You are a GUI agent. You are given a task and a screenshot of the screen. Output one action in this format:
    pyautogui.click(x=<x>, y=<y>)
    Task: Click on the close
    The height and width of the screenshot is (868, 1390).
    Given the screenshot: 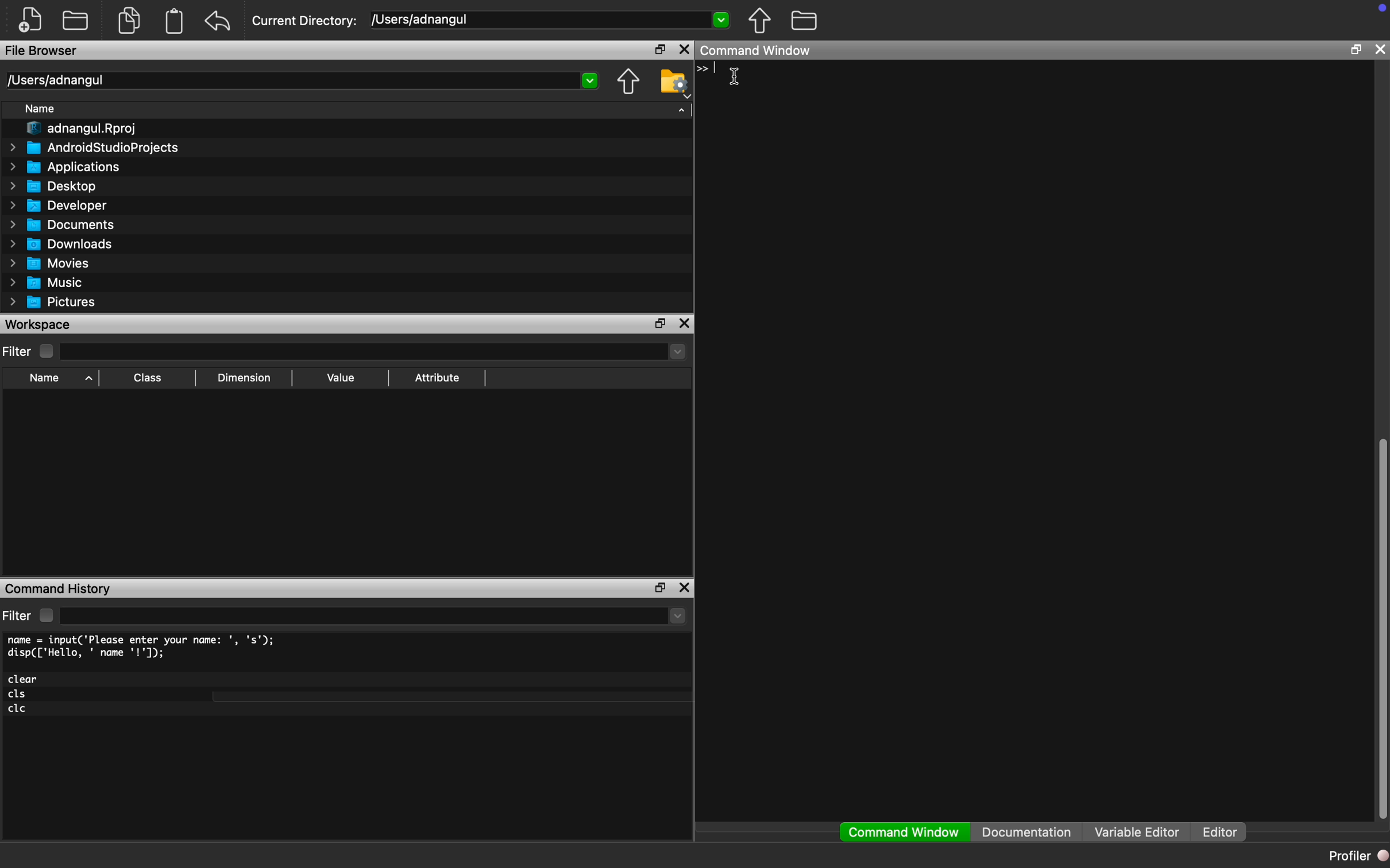 What is the action you would take?
    pyautogui.click(x=685, y=587)
    